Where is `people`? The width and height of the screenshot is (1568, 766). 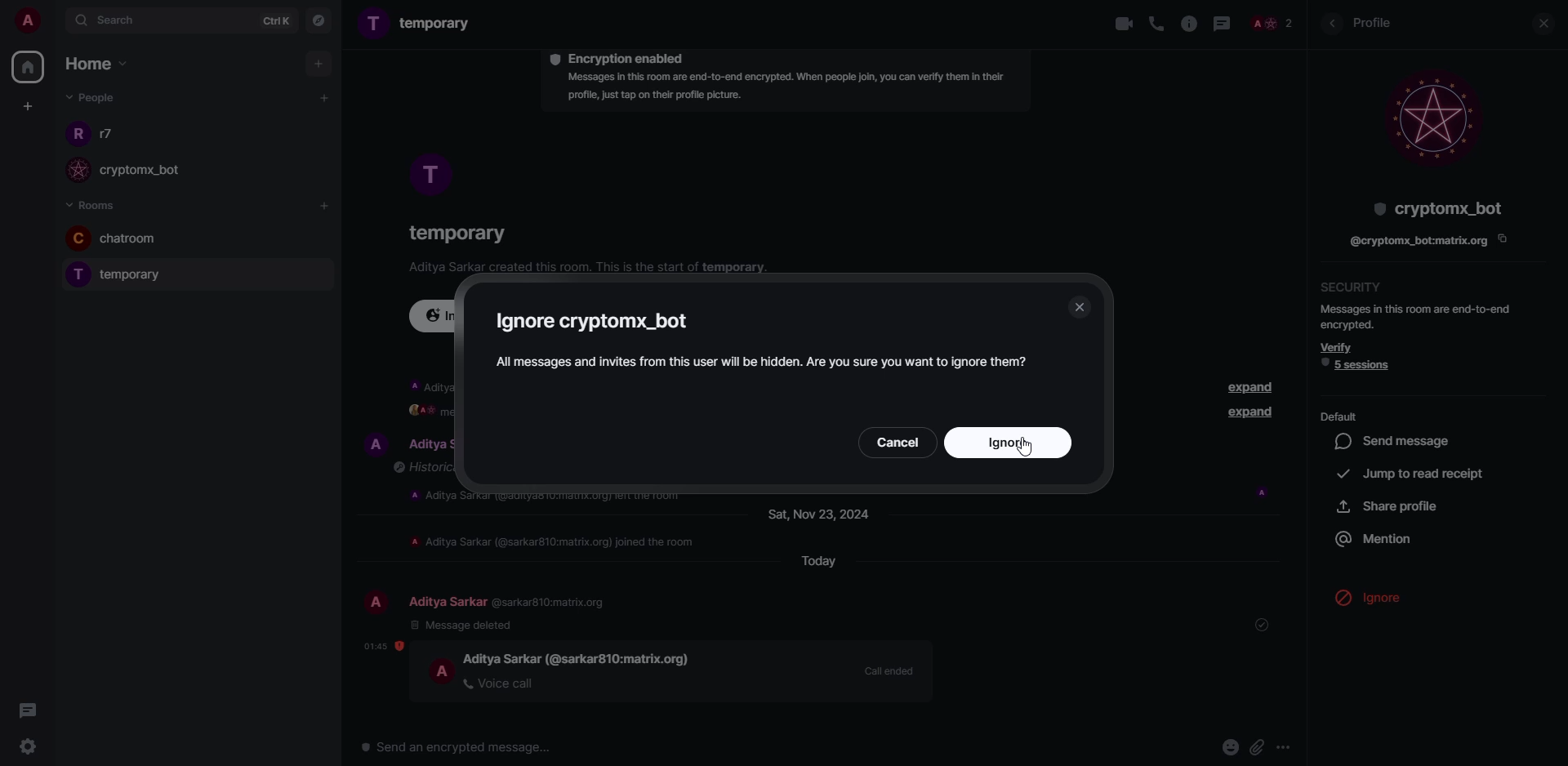 people is located at coordinates (510, 602).